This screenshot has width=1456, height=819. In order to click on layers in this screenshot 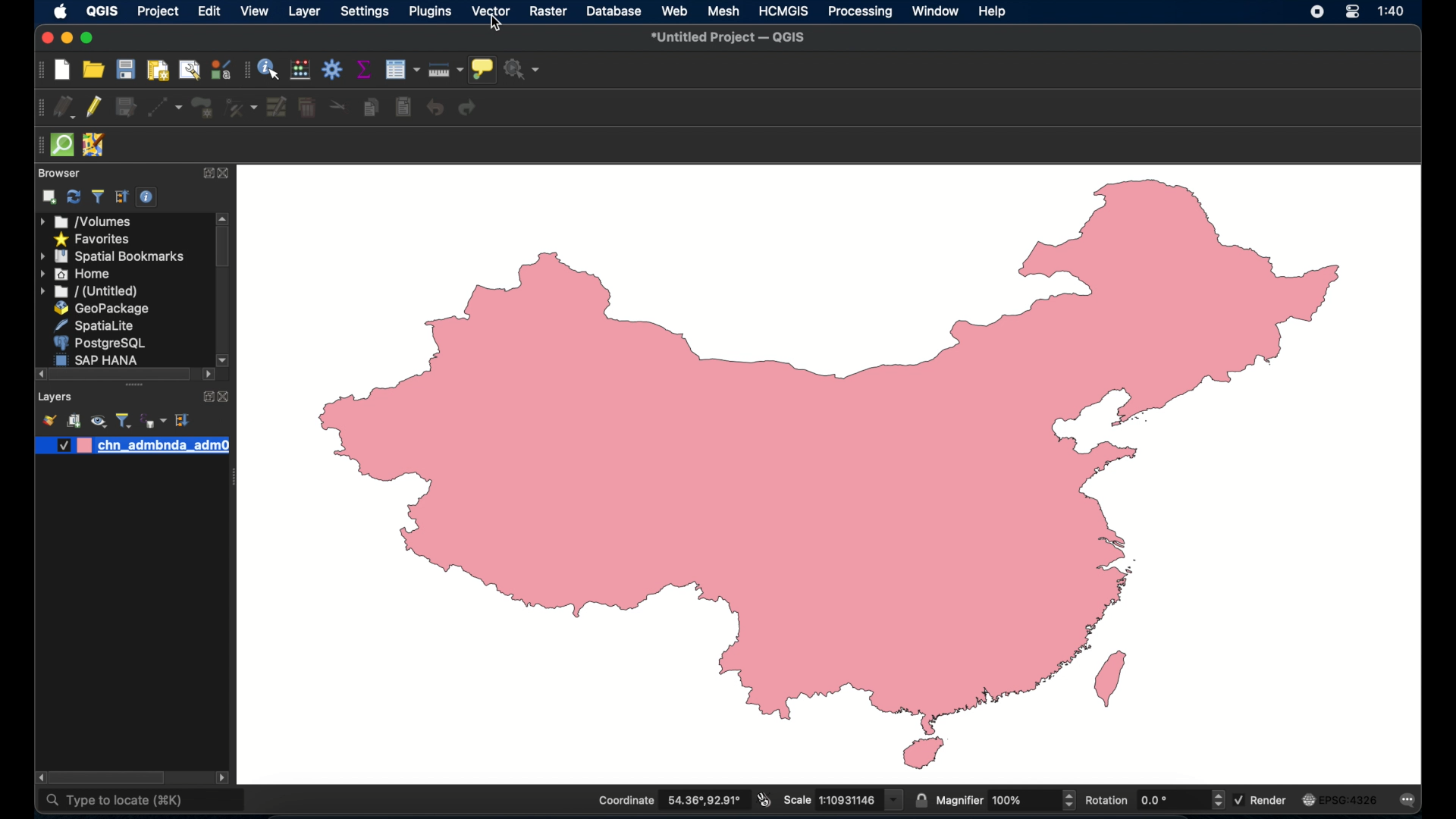, I will do `click(55, 398)`.